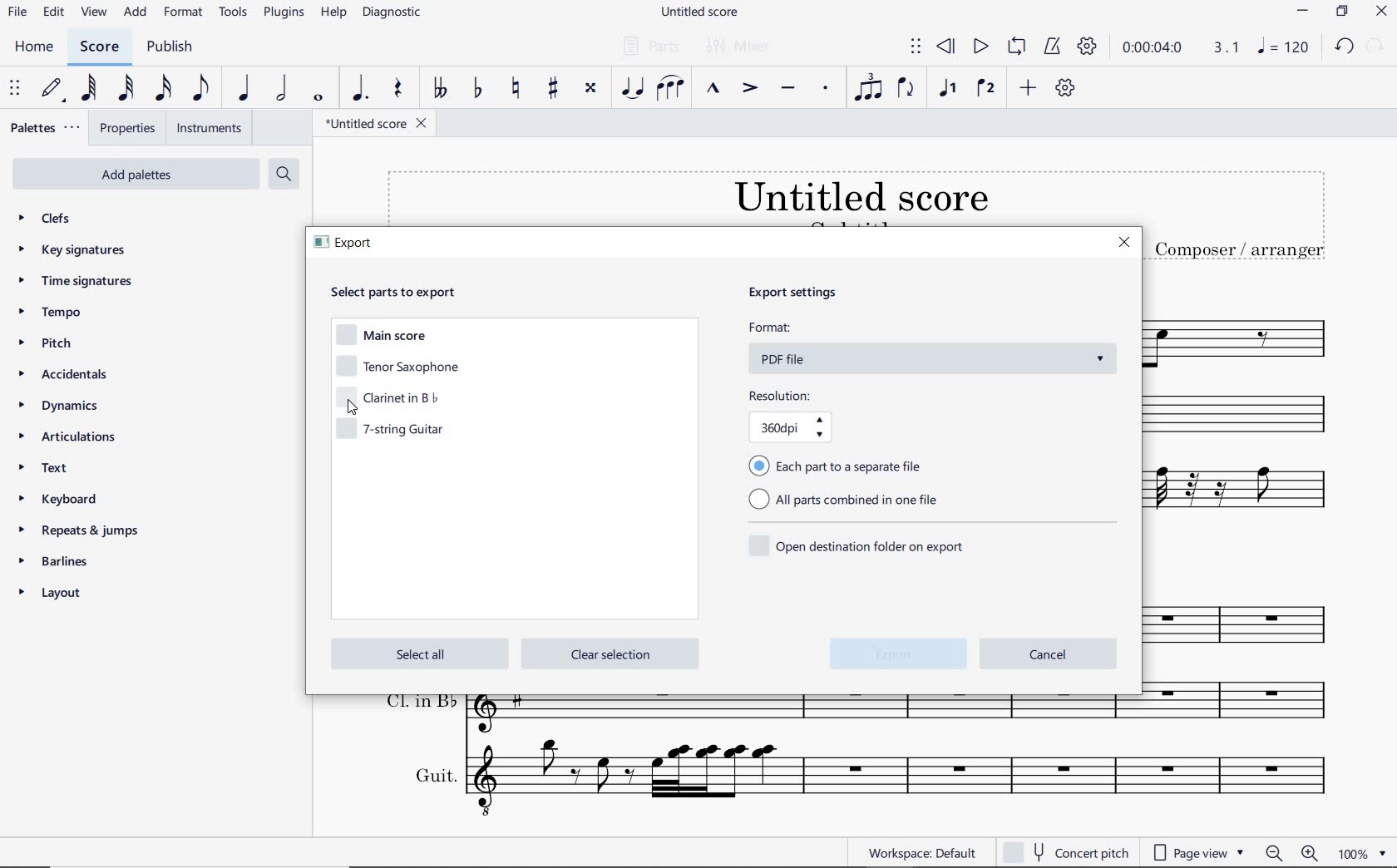  What do you see at coordinates (1345, 47) in the screenshot?
I see `UNDO` at bounding box center [1345, 47].